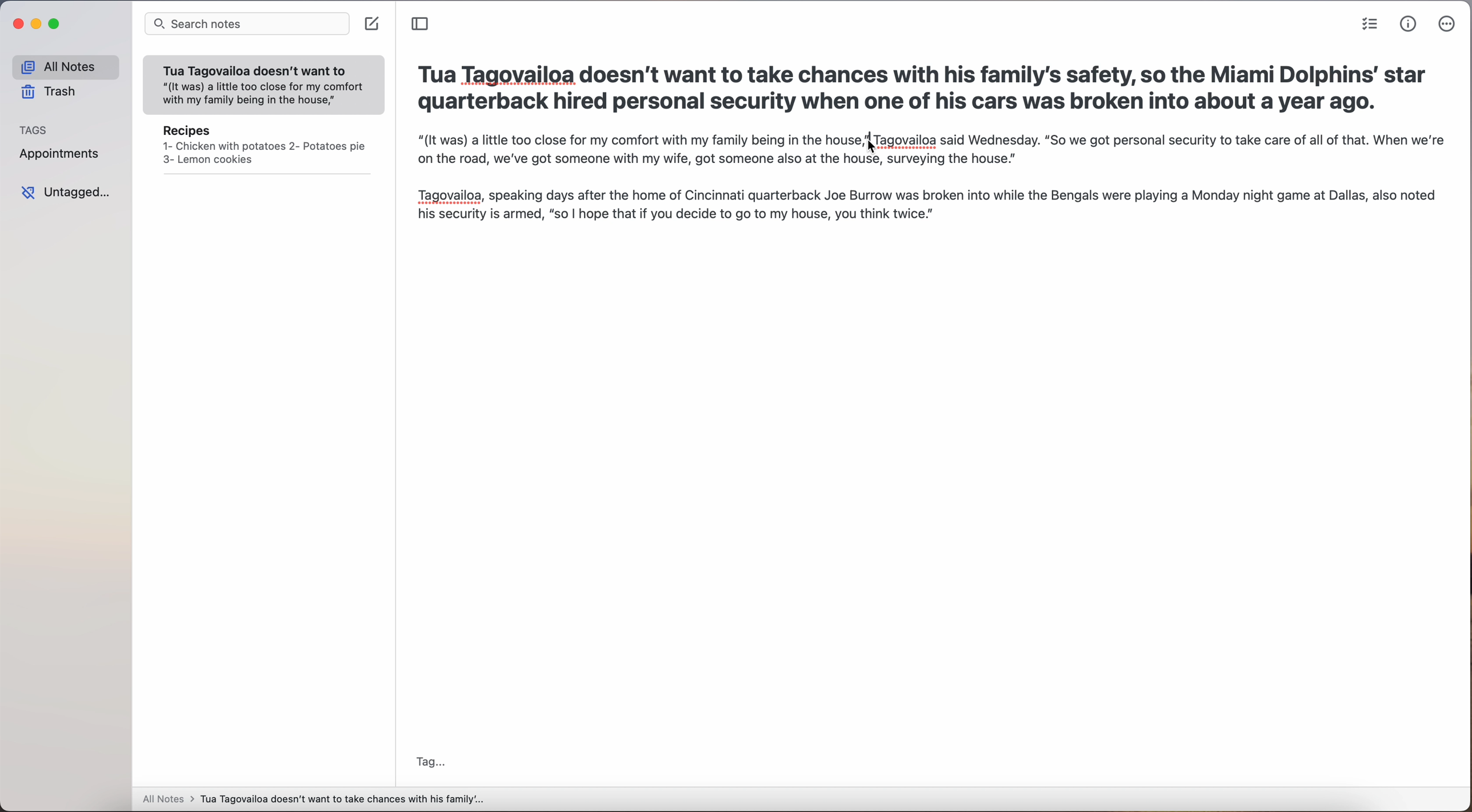 The image size is (1472, 812). What do you see at coordinates (431, 763) in the screenshot?
I see `tag` at bounding box center [431, 763].